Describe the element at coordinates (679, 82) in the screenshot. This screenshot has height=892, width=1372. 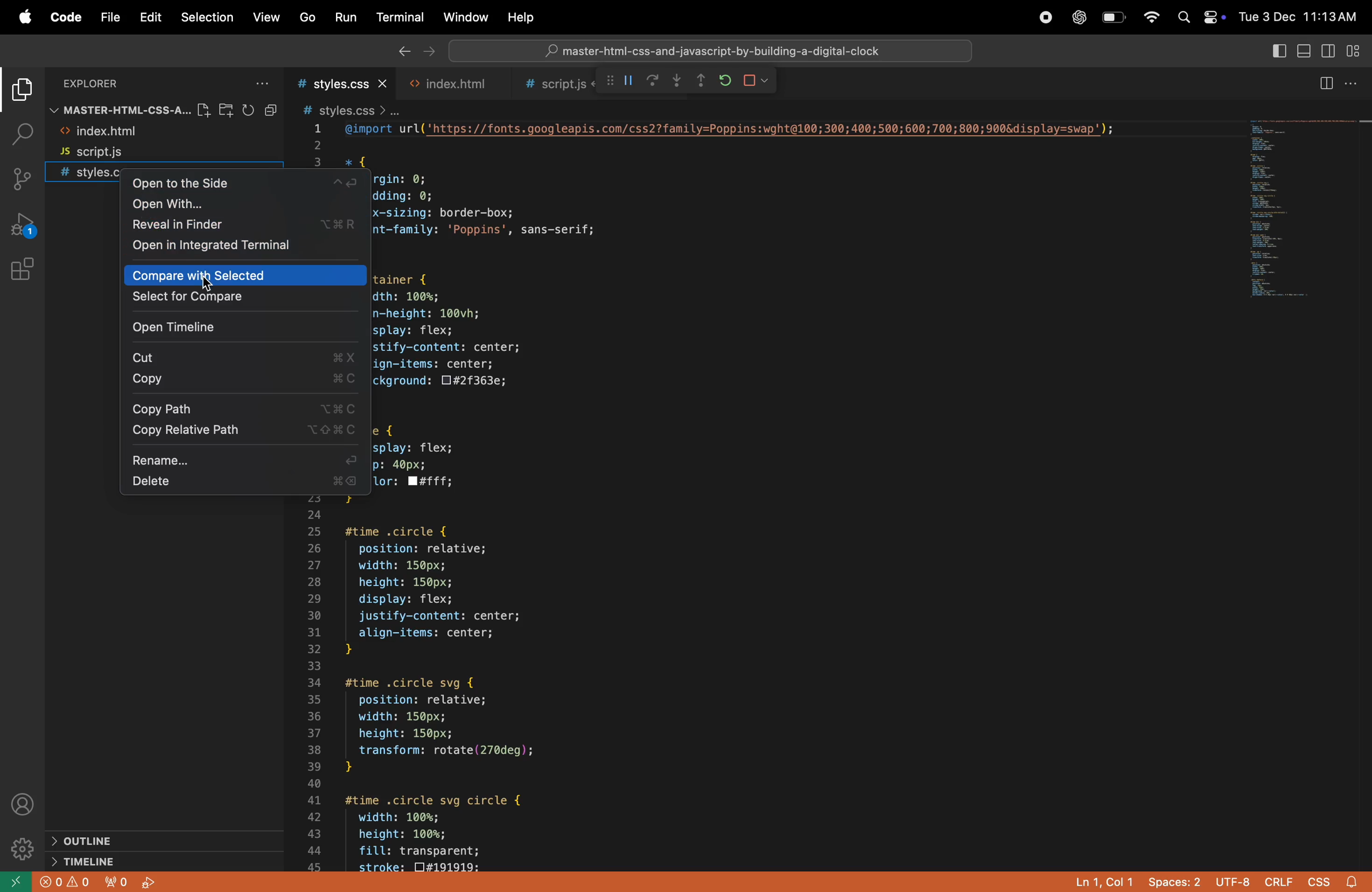
I see `step out` at that location.